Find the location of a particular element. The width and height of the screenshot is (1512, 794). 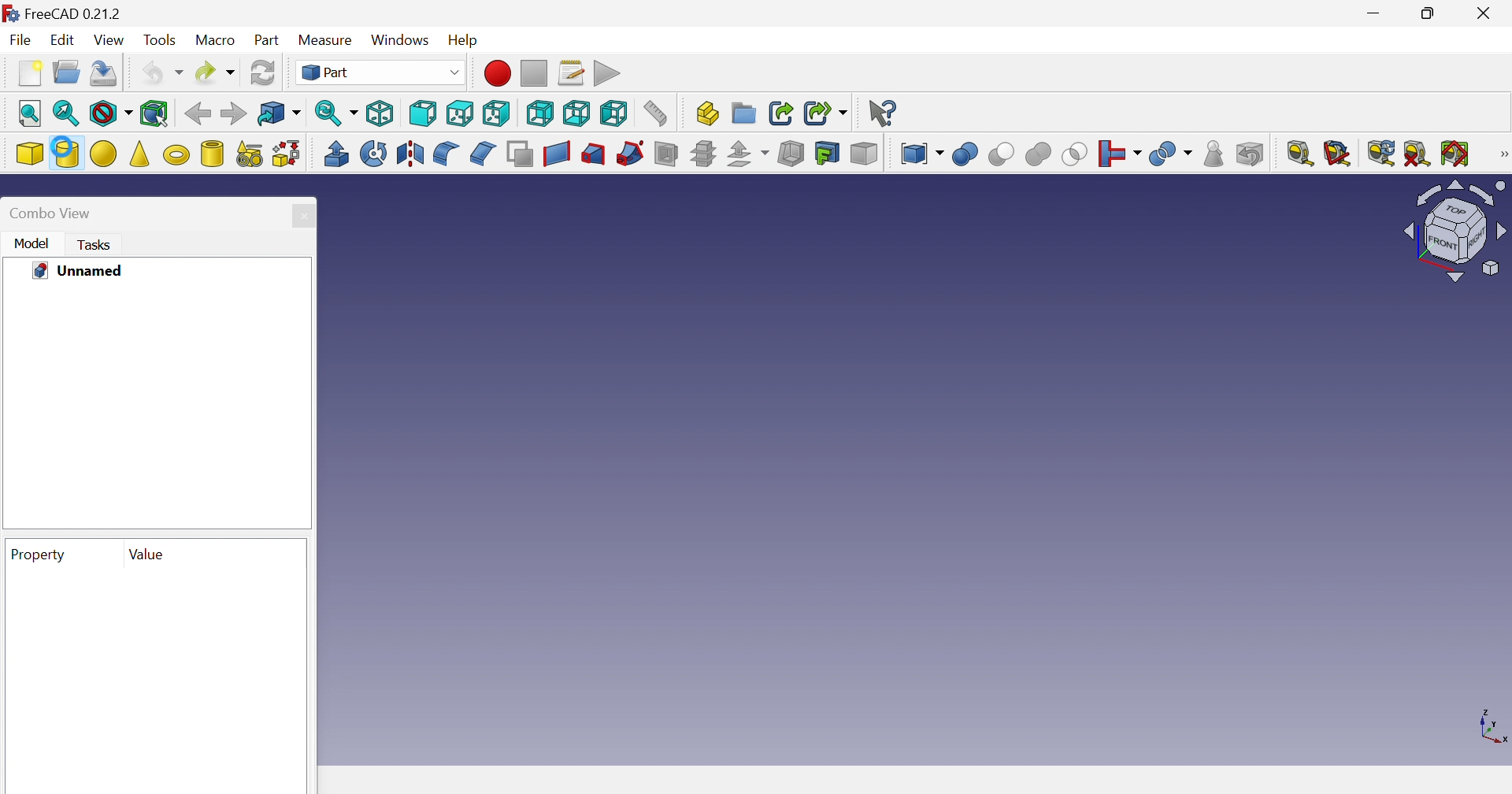

Undo is located at coordinates (163, 72).